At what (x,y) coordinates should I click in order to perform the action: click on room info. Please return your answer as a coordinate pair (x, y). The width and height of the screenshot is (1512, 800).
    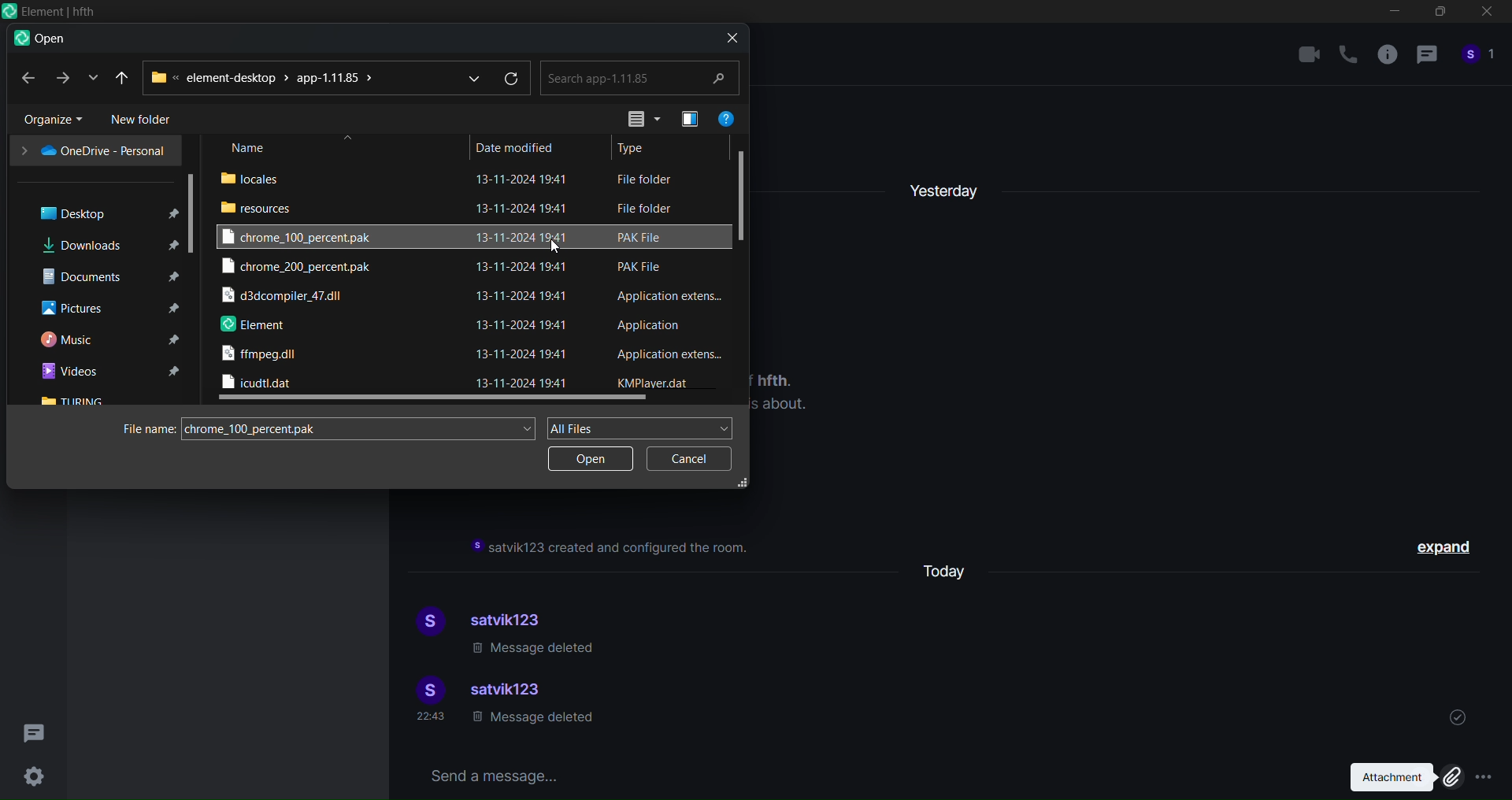
    Looking at the image, I should click on (1384, 58).